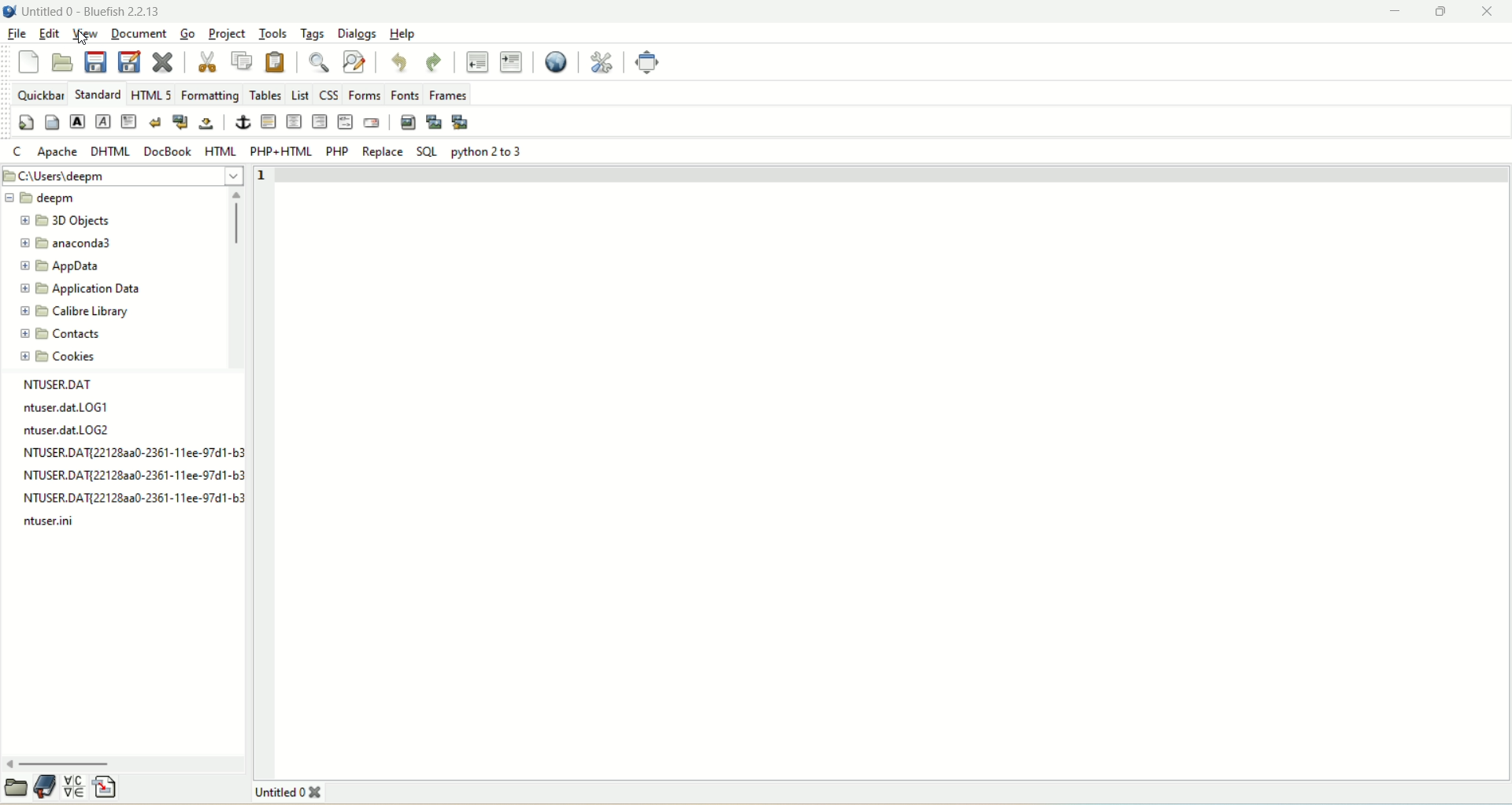  Describe the element at coordinates (46, 35) in the screenshot. I see `edit` at that location.